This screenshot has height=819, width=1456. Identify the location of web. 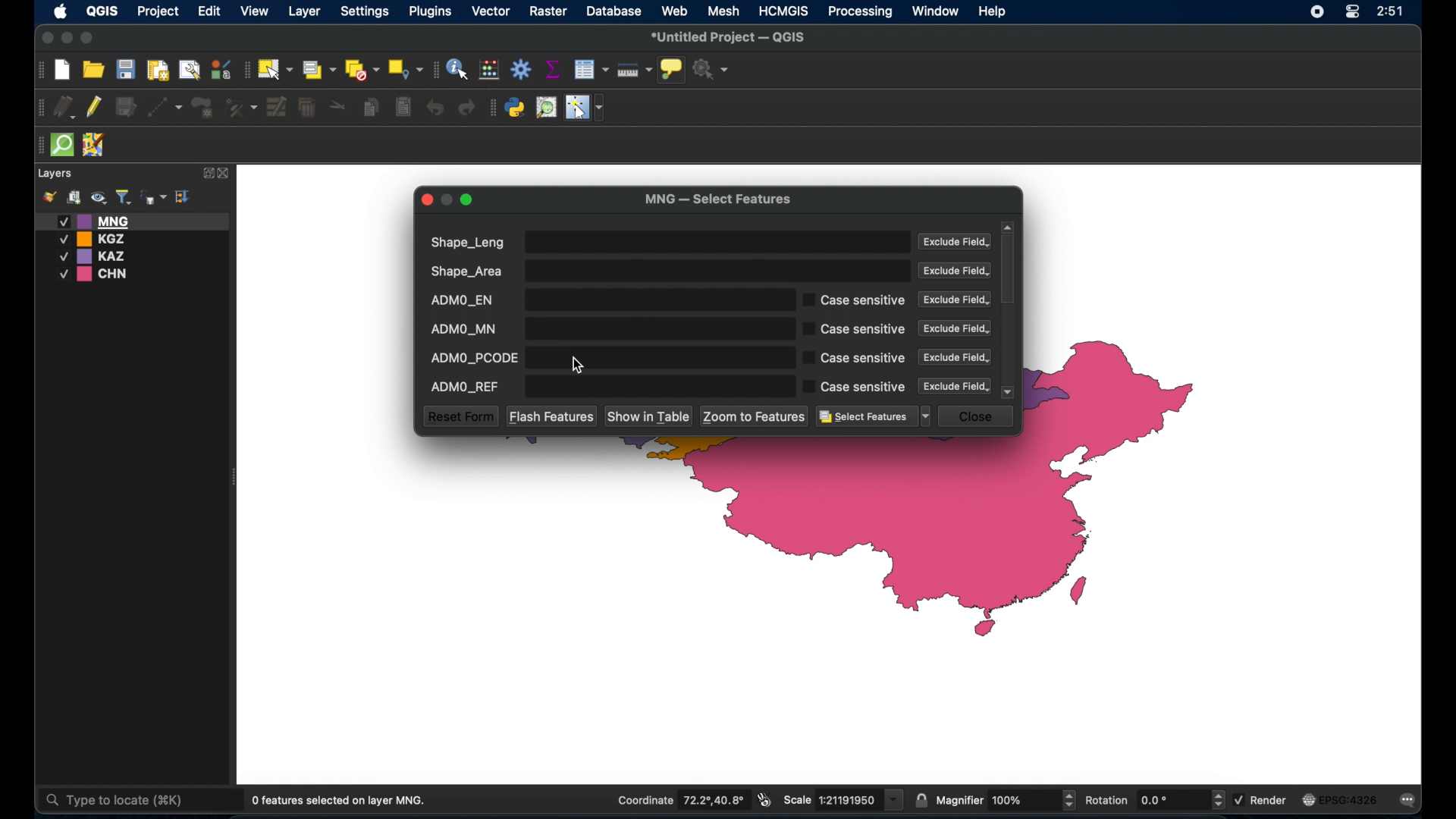
(675, 11).